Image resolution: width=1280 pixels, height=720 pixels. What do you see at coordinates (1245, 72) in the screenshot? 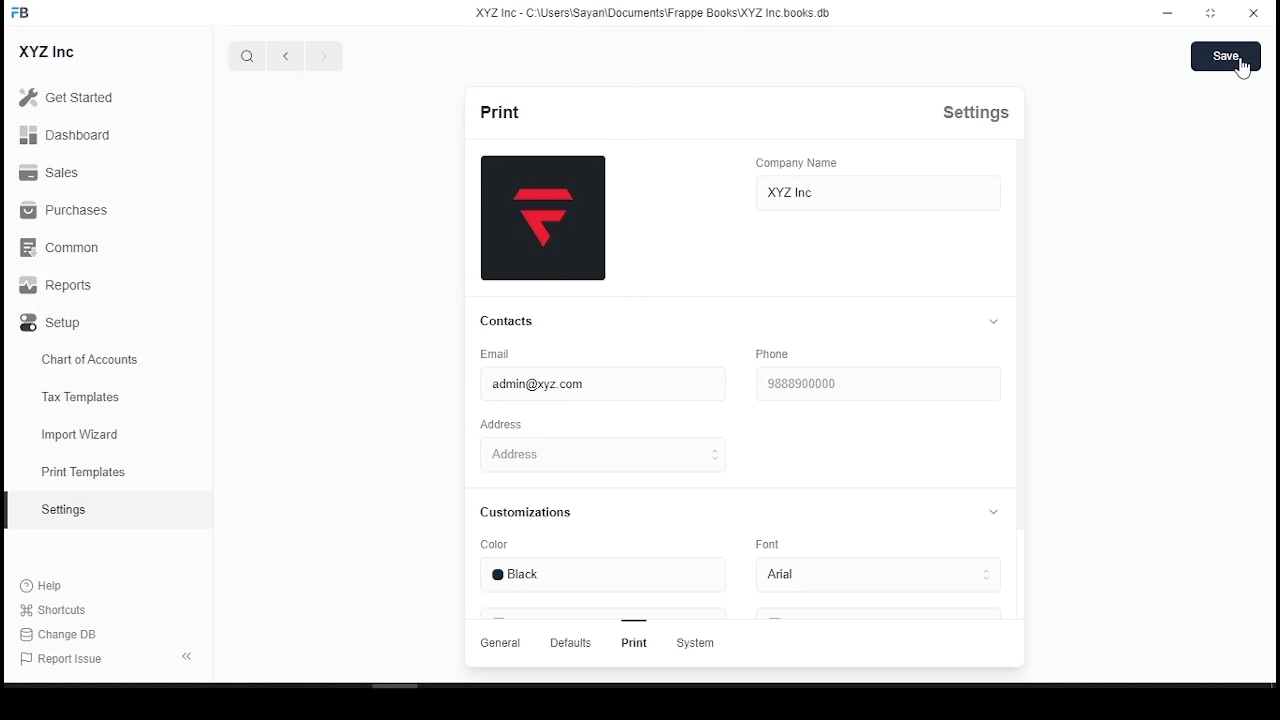
I see `mouse pointer` at bounding box center [1245, 72].